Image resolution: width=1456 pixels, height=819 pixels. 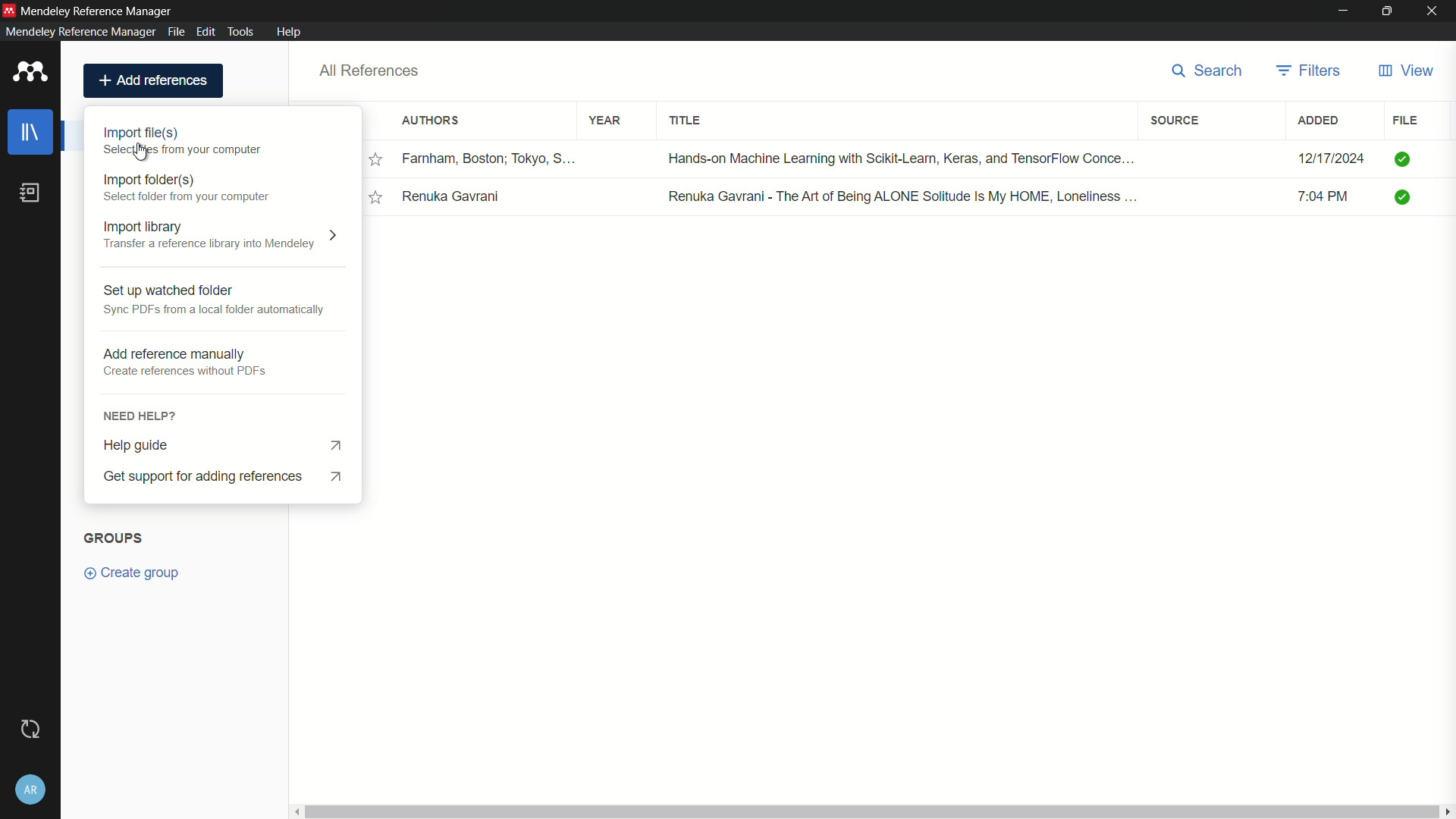 What do you see at coordinates (98, 12) in the screenshot?
I see `mendeley reference manager` at bounding box center [98, 12].